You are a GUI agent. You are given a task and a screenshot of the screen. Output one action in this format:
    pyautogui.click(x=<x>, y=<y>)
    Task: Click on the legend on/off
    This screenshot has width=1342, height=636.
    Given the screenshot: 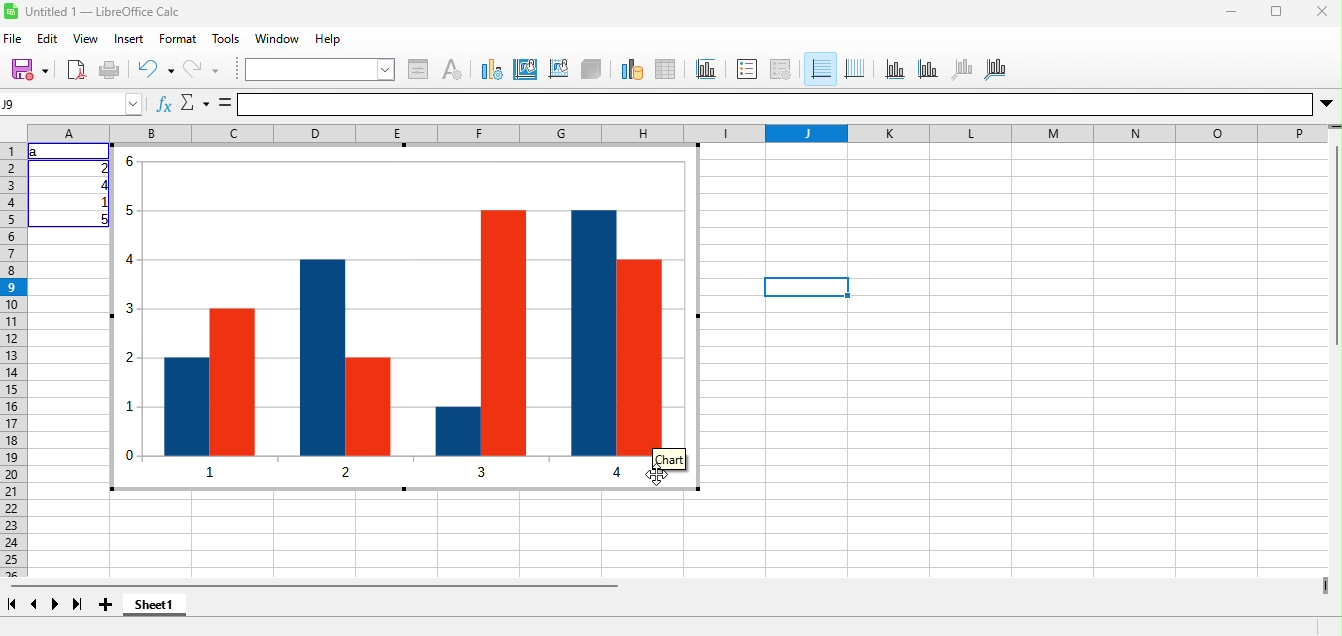 What is the action you would take?
    pyautogui.click(x=747, y=70)
    